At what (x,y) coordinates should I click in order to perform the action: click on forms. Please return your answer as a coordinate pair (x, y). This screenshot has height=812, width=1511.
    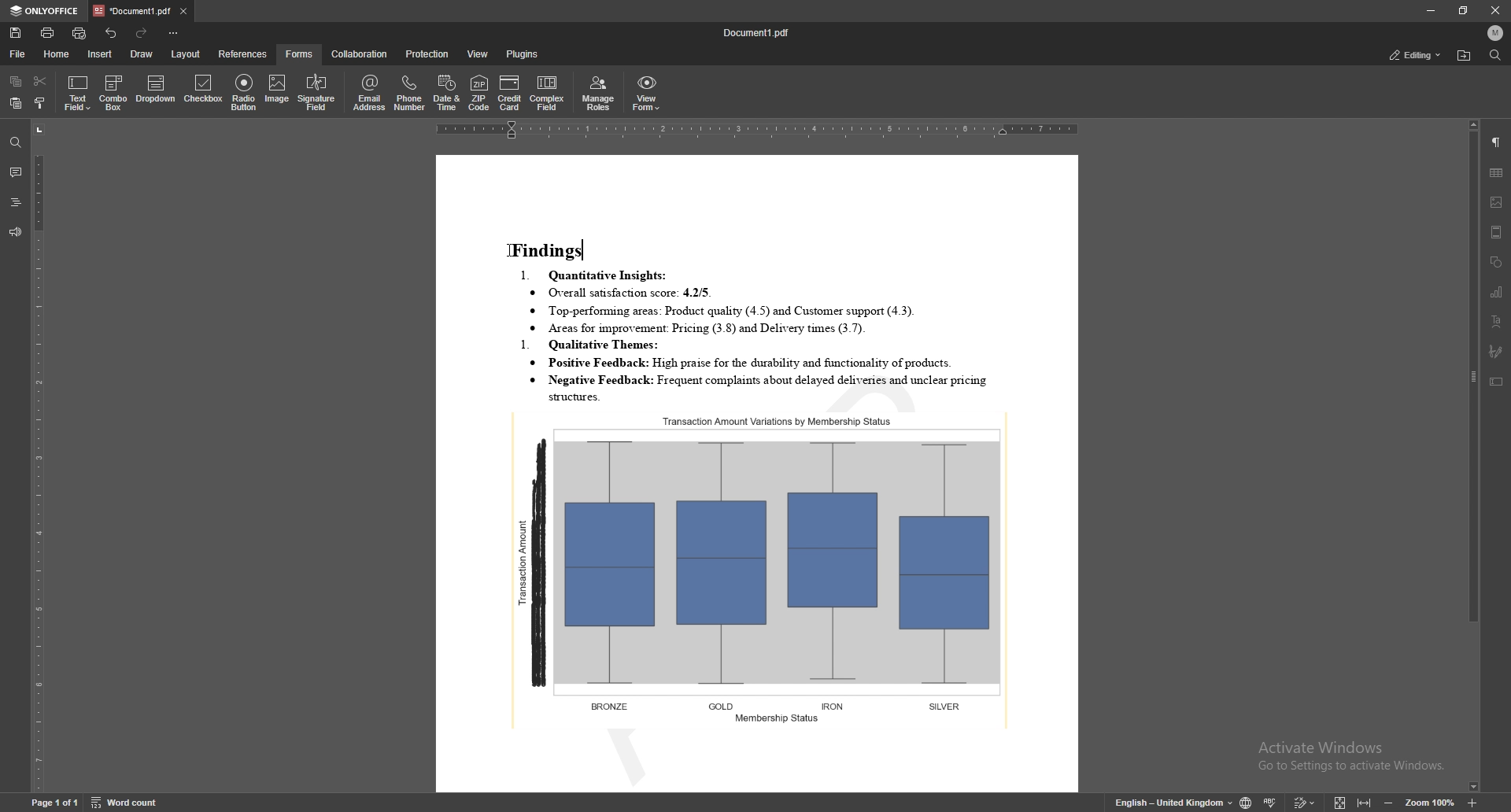
    Looking at the image, I should click on (300, 54).